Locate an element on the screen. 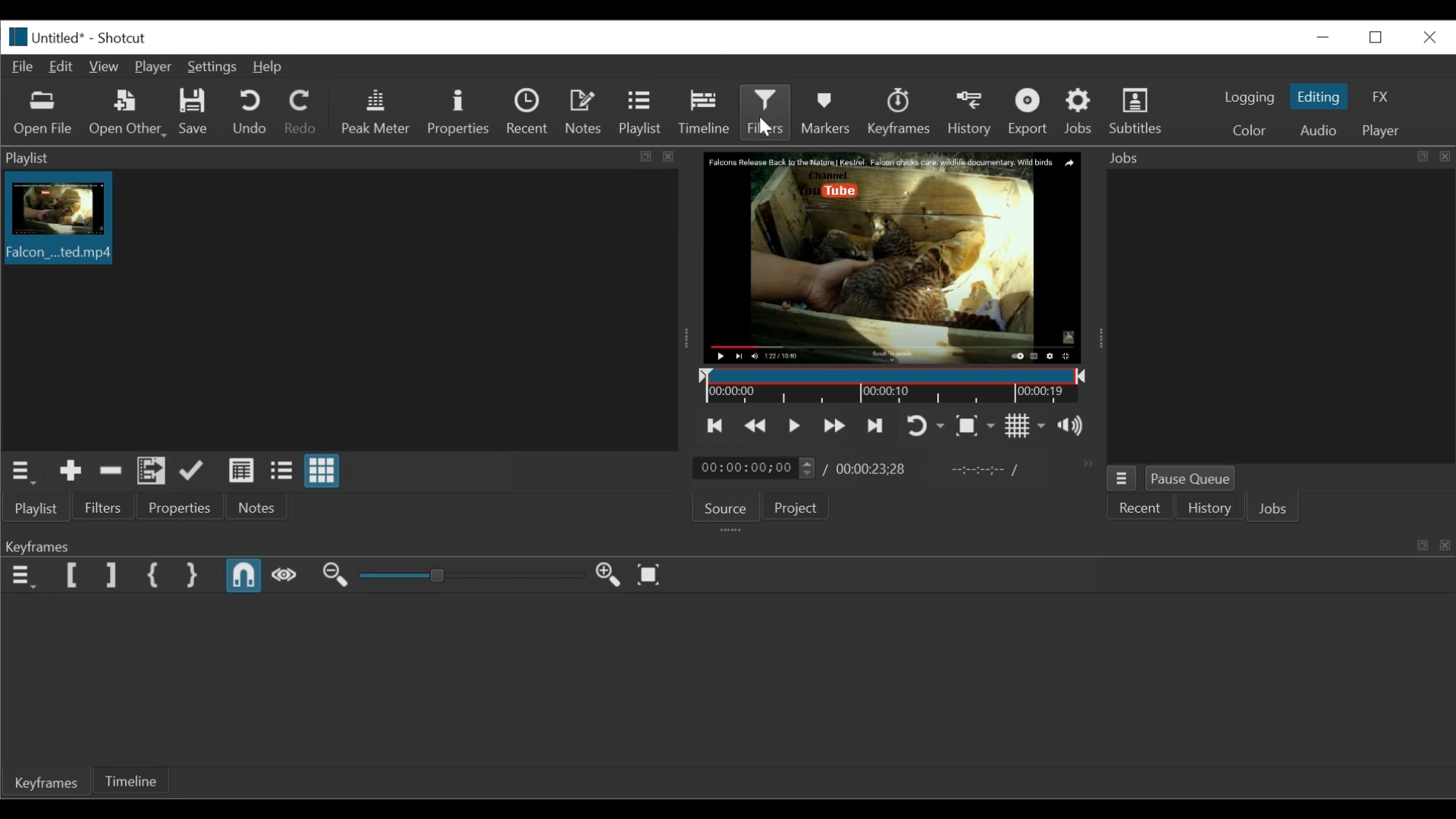 The image size is (1456, 819). minimize is located at coordinates (1376, 37).